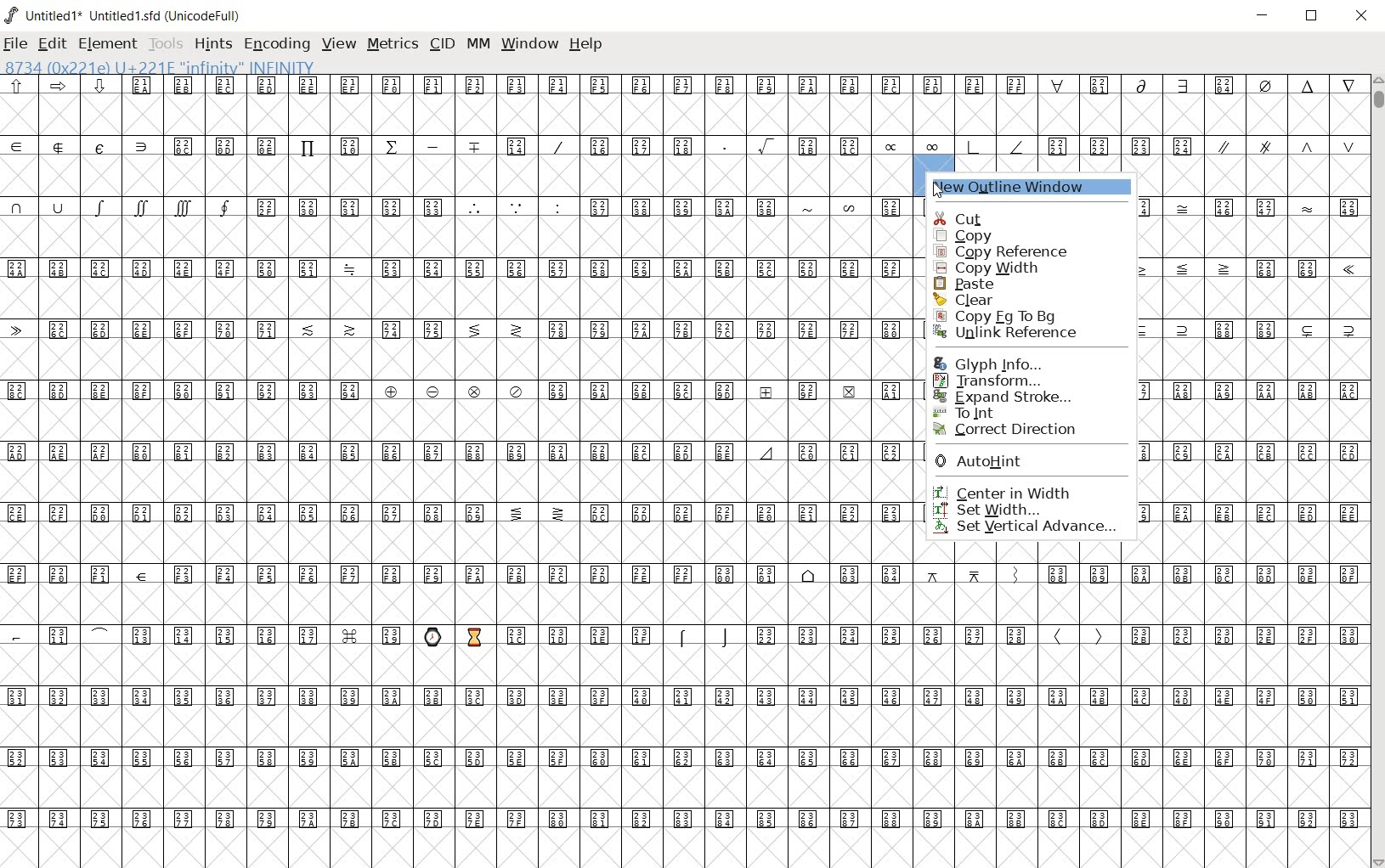  Describe the element at coordinates (991, 268) in the screenshot. I see `copy width` at that location.